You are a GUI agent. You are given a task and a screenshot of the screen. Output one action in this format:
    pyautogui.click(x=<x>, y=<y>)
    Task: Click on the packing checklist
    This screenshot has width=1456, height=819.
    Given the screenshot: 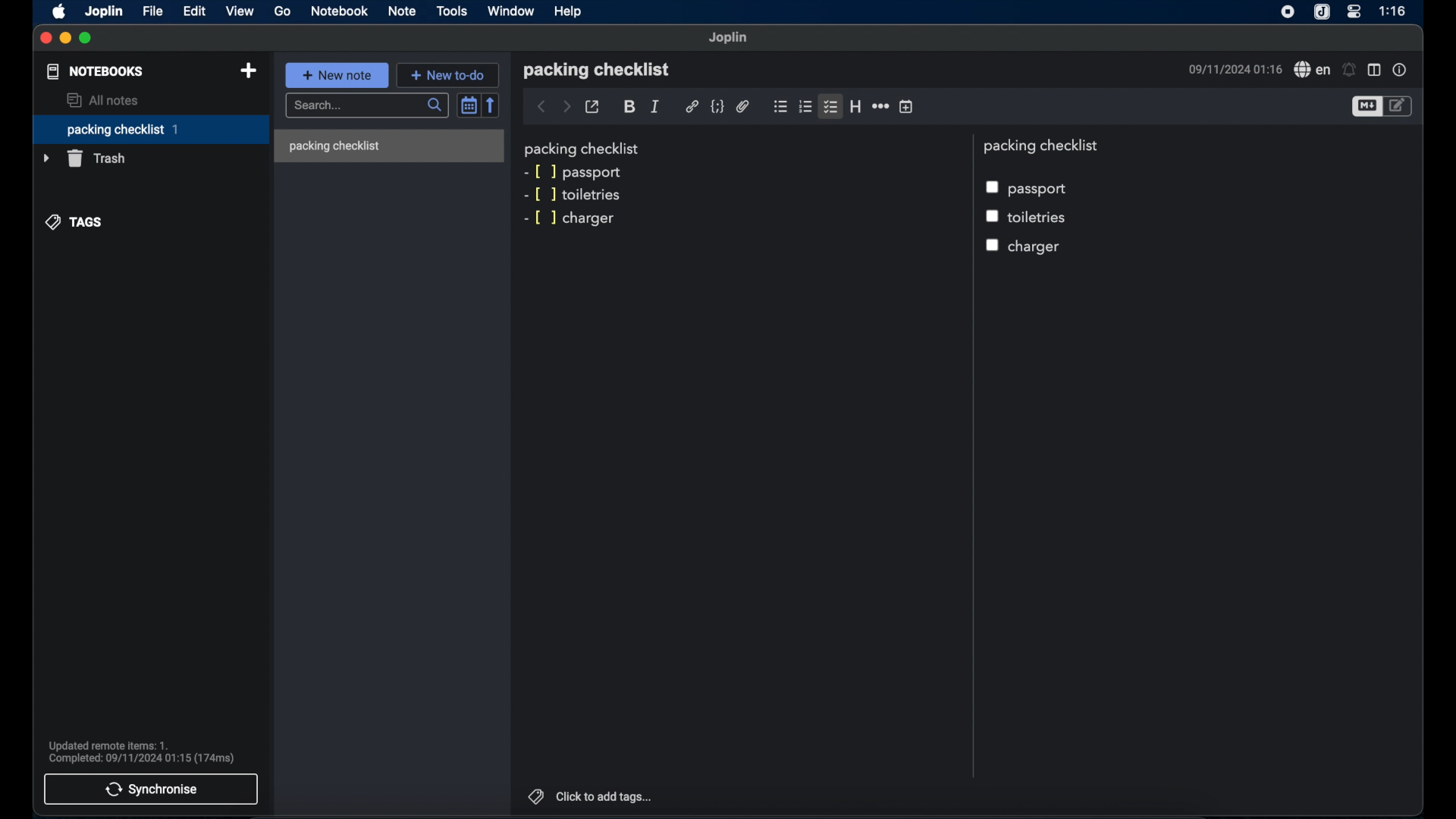 What is the action you would take?
    pyautogui.click(x=583, y=149)
    